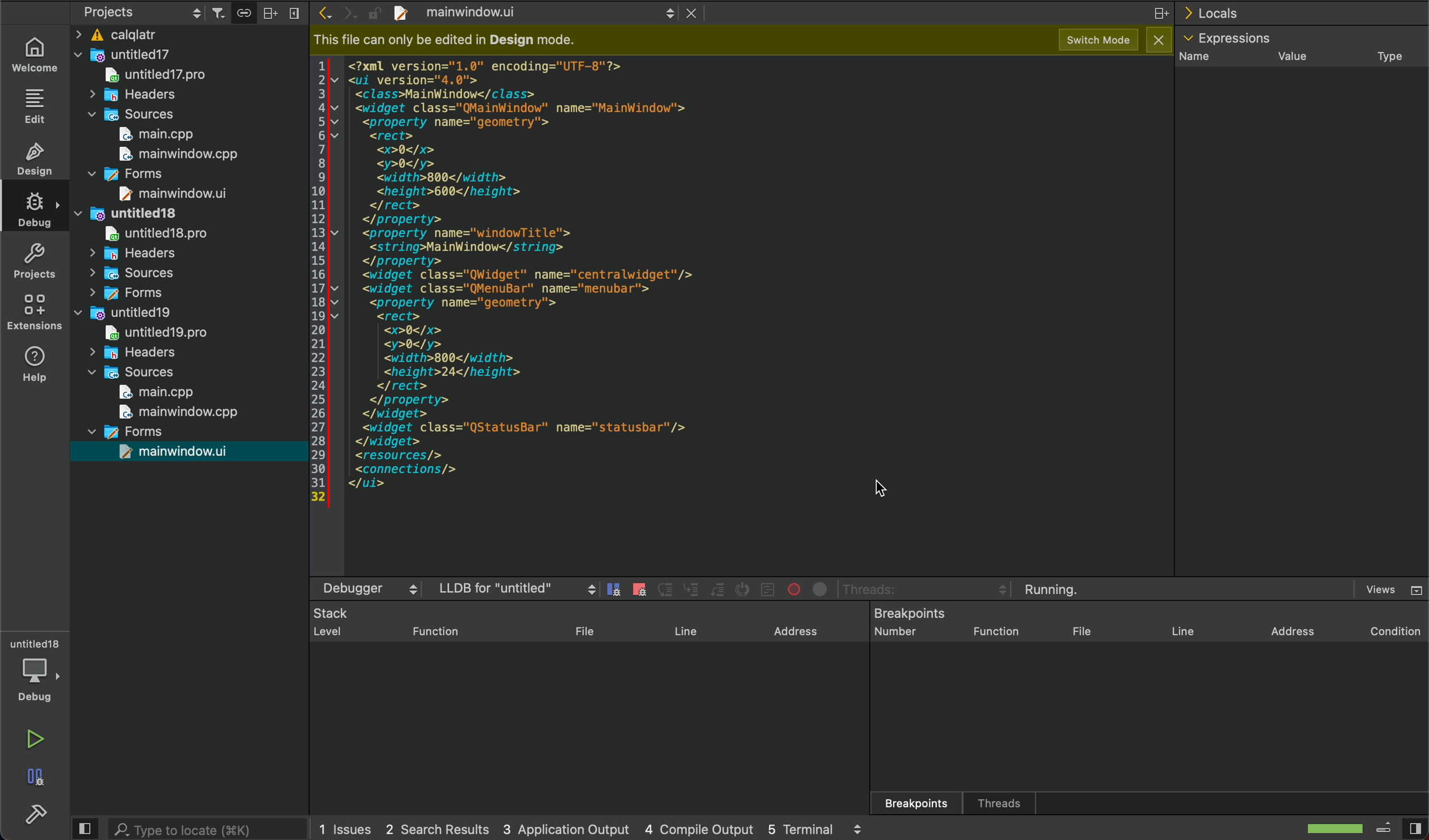 The width and height of the screenshot is (1429, 840). Describe the element at coordinates (1292, 57) in the screenshot. I see `value` at that location.